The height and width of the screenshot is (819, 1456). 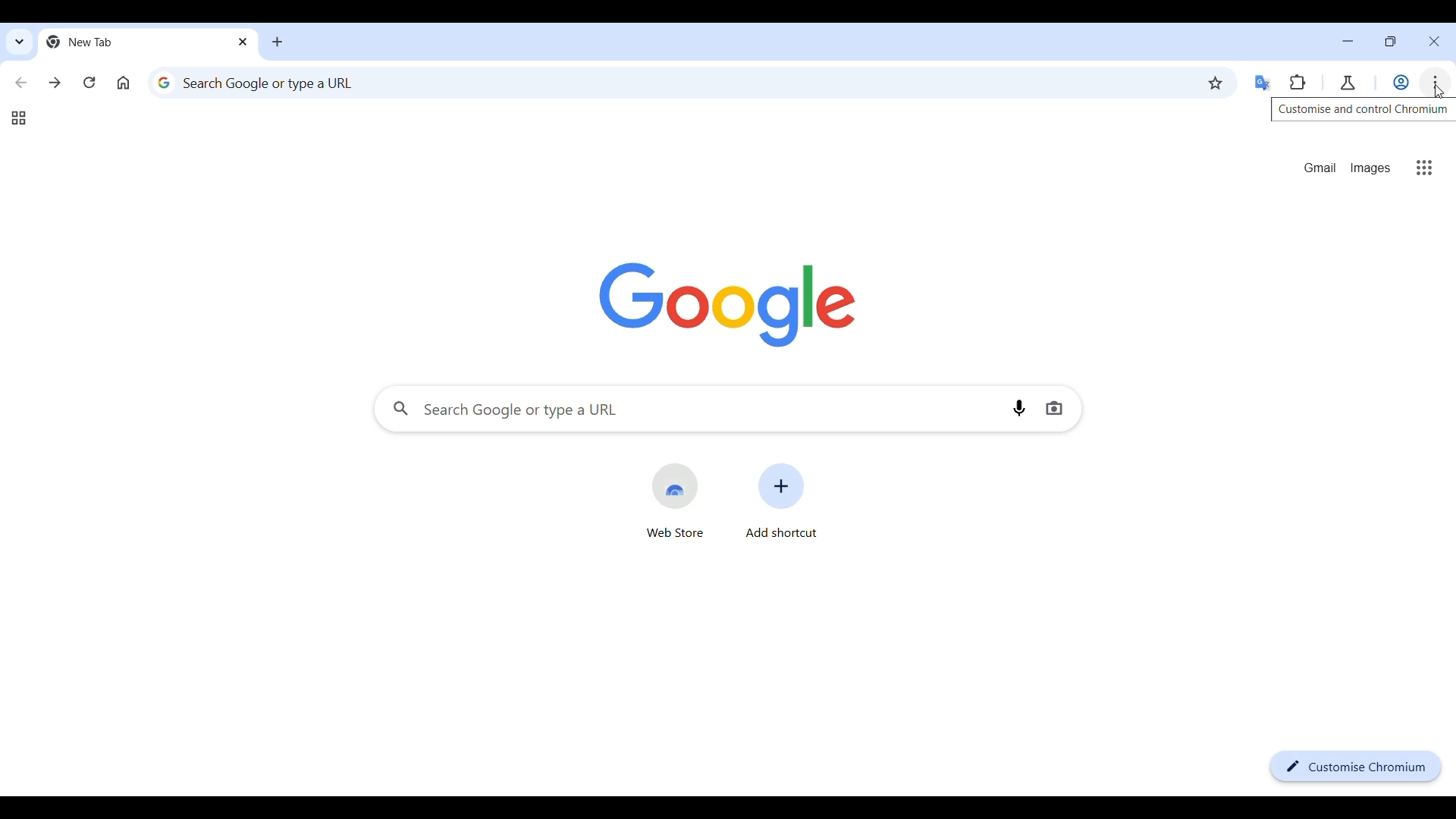 What do you see at coordinates (1263, 83) in the screenshot?
I see `Google translator extension` at bounding box center [1263, 83].